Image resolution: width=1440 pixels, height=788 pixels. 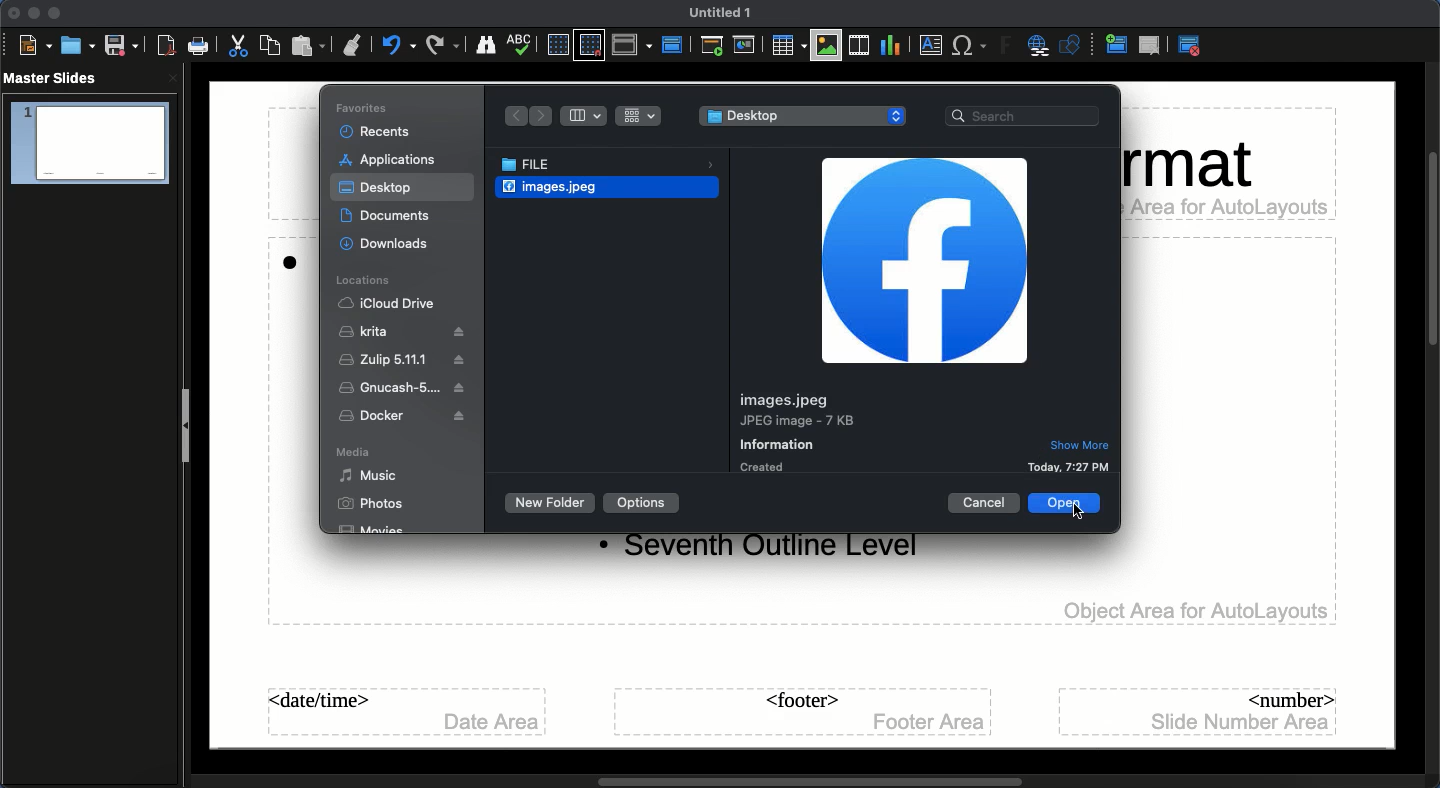 I want to click on Slide 1, so click(x=92, y=143).